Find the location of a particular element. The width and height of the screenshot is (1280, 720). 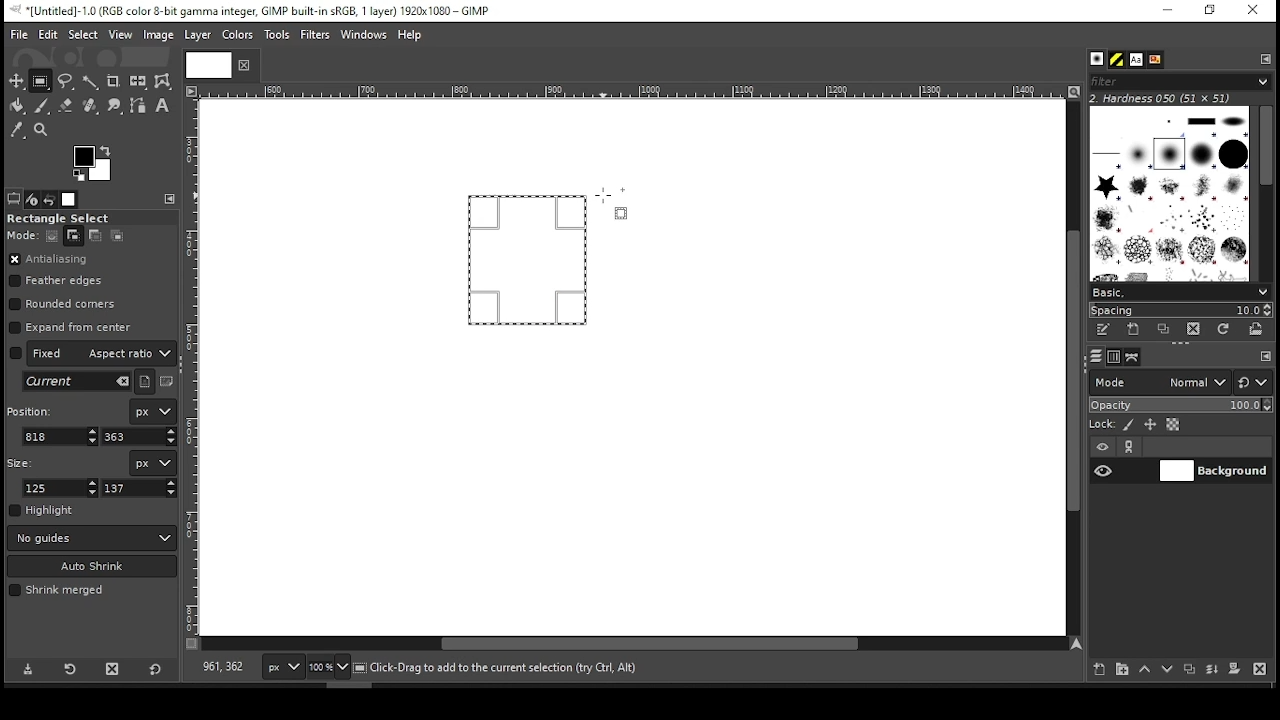

colors is located at coordinates (93, 163).